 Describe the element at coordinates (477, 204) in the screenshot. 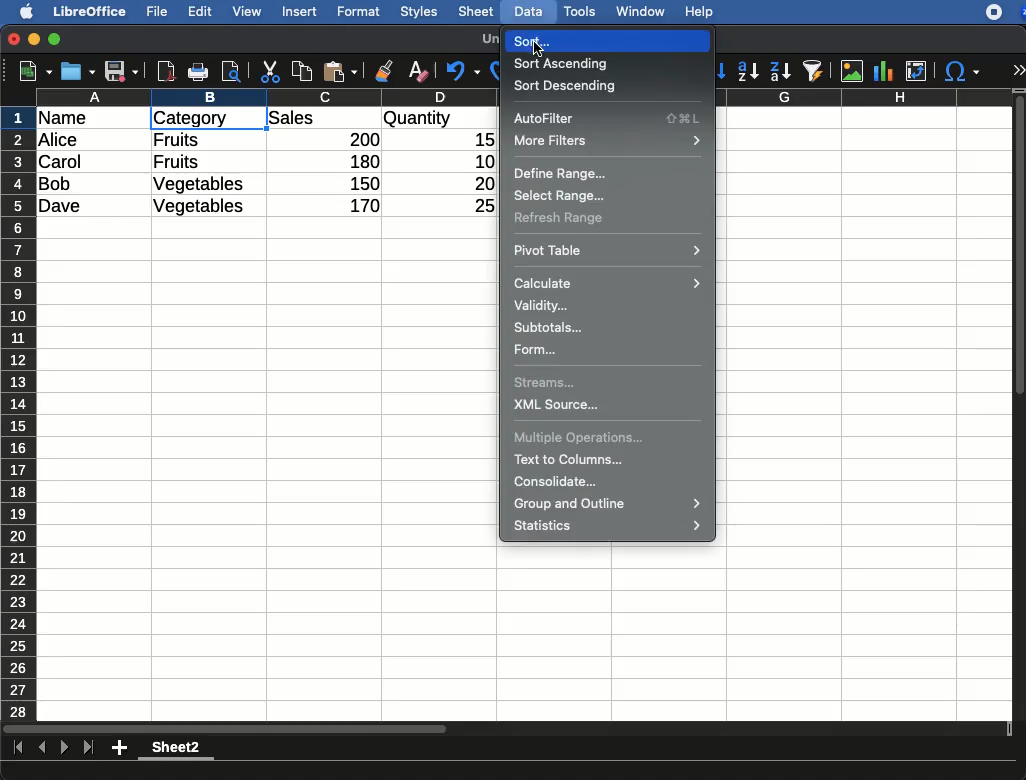

I see `25` at that location.